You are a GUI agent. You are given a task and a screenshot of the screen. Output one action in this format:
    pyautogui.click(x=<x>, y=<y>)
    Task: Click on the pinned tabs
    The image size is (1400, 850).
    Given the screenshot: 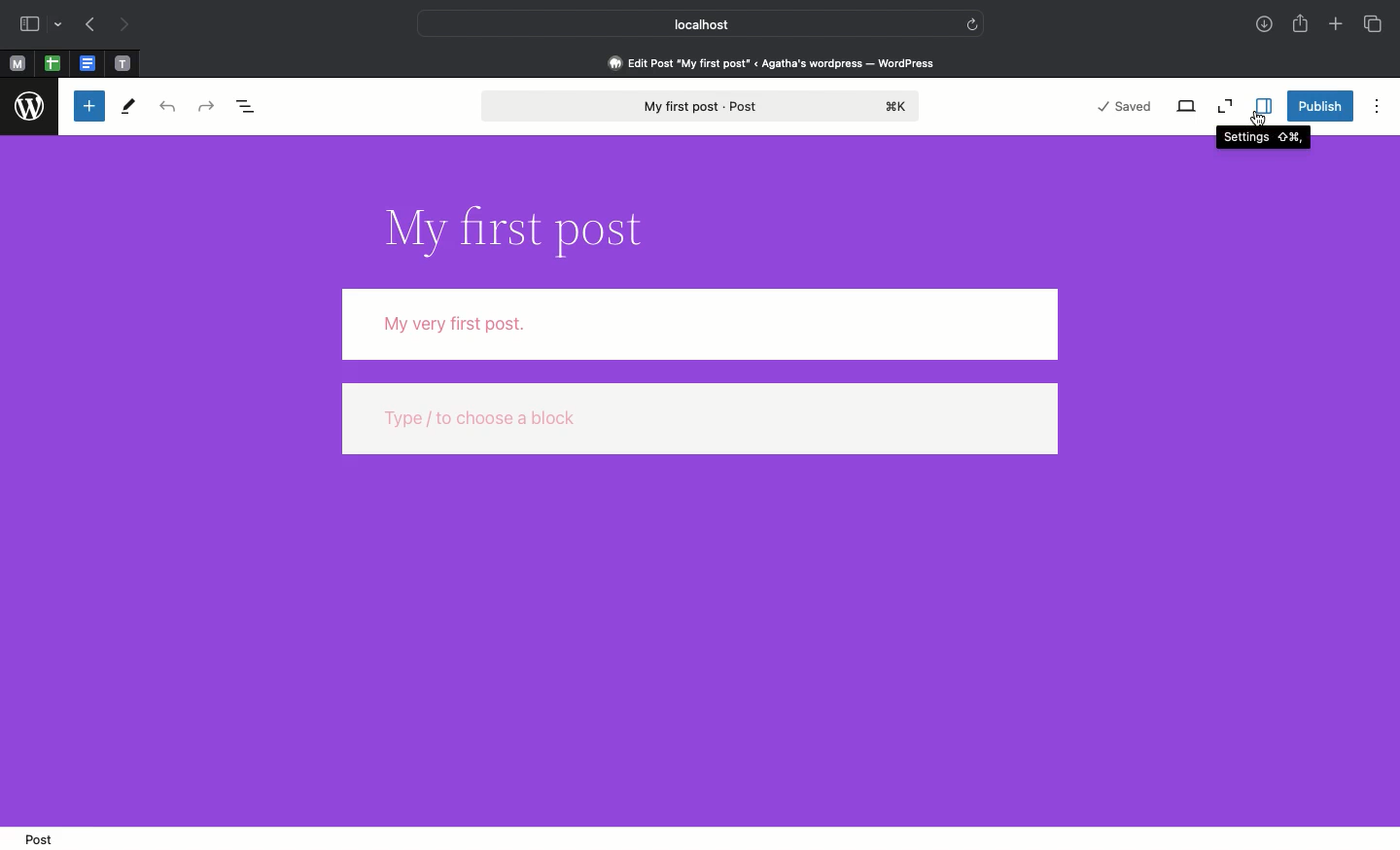 What is the action you would take?
    pyautogui.click(x=126, y=64)
    